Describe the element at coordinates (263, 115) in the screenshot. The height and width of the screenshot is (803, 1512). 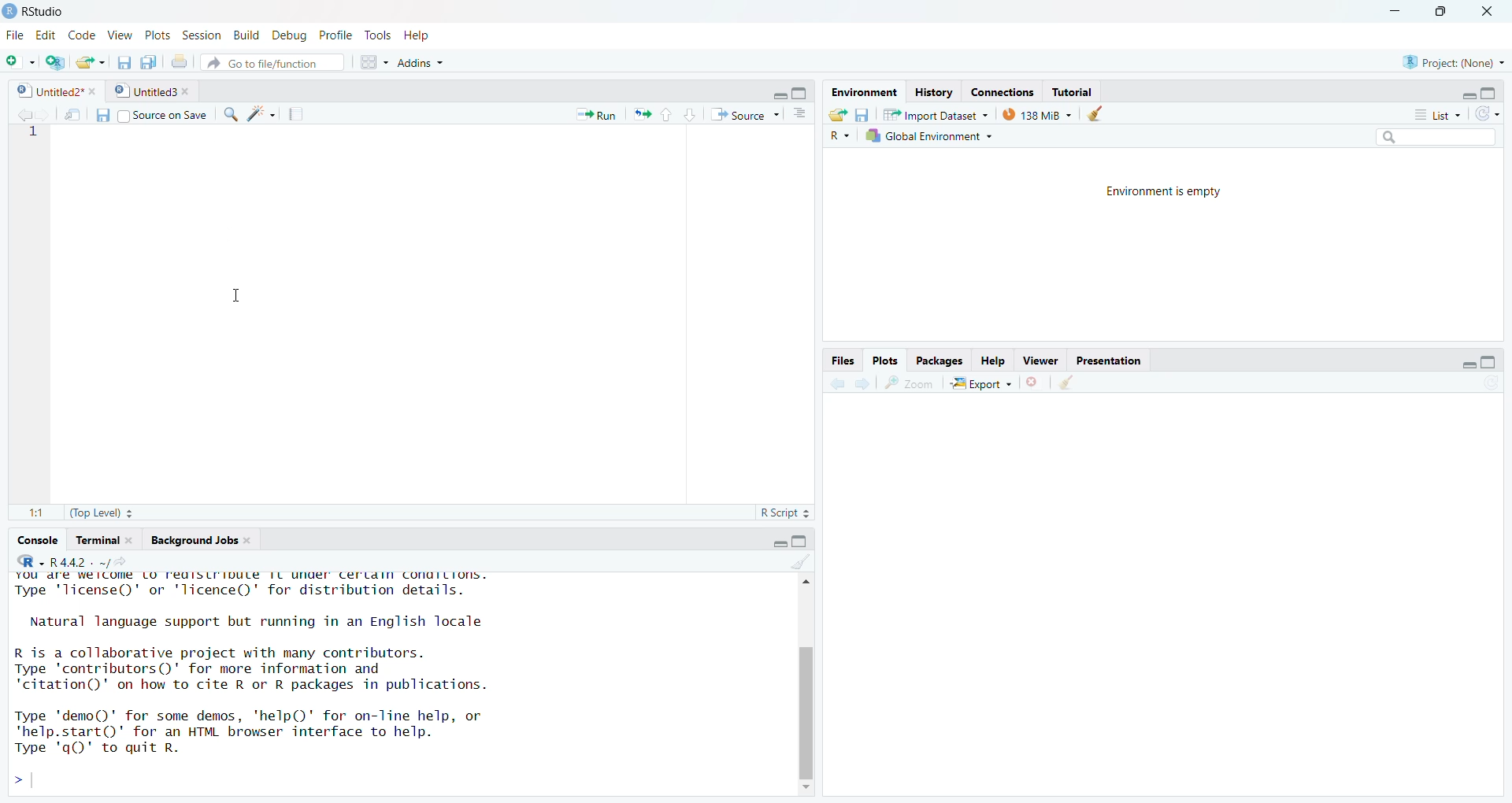
I see `code tools` at that location.